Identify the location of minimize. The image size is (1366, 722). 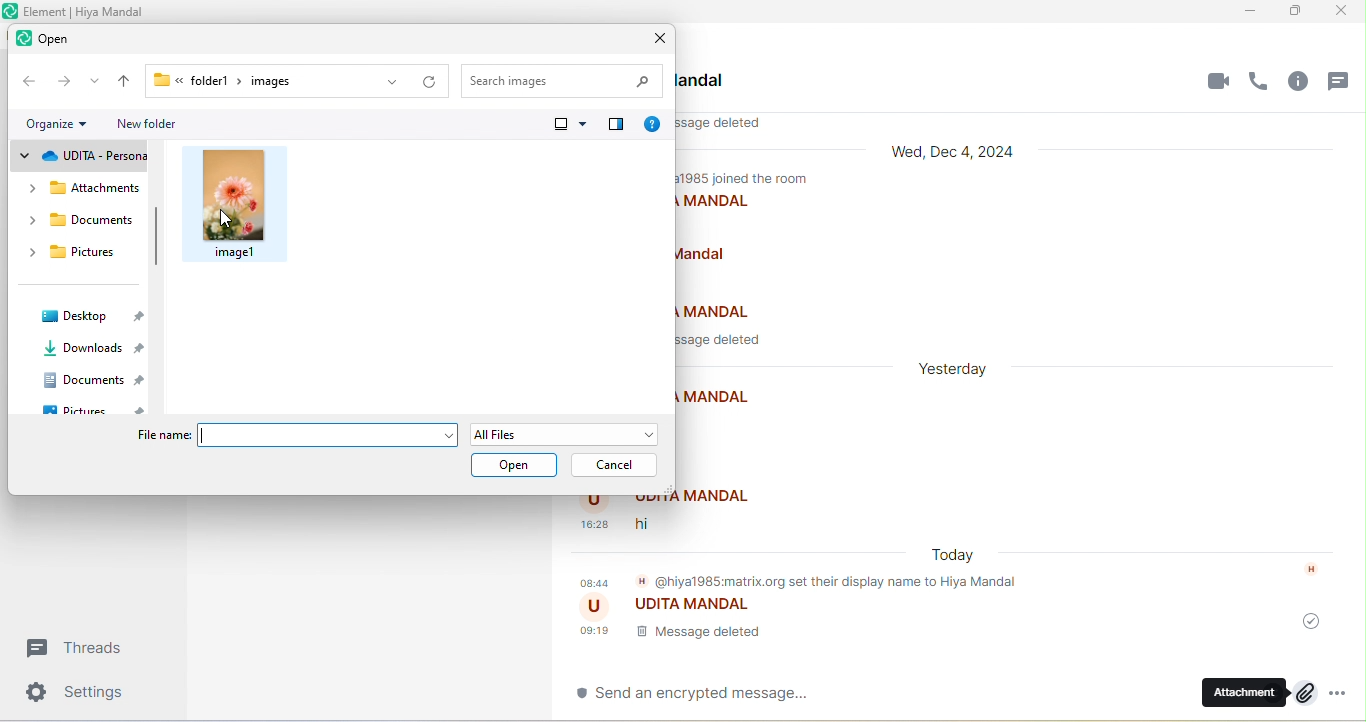
(1252, 11).